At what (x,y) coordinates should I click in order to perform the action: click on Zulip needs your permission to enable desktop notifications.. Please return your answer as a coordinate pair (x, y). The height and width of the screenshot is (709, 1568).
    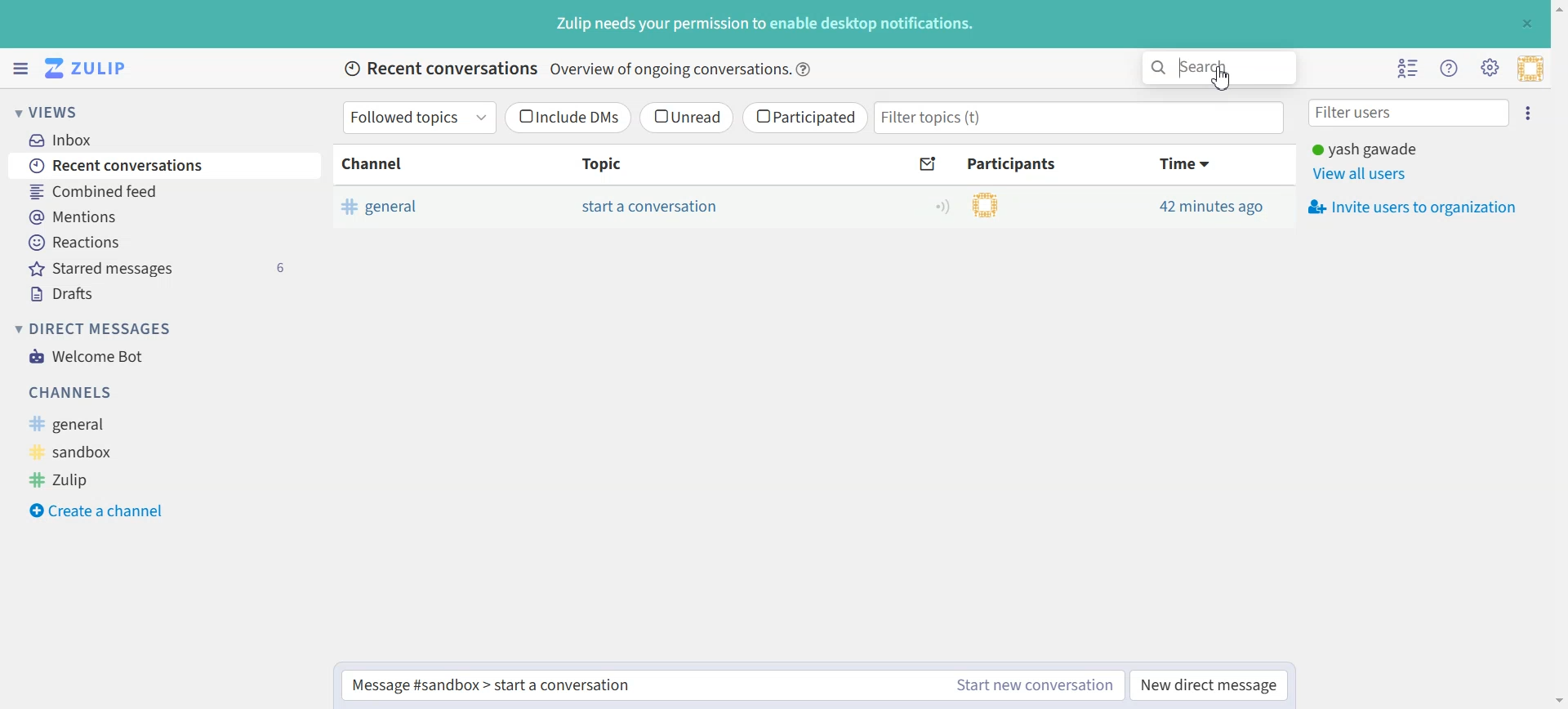
    Looking at the image, I should click on (764, 25).